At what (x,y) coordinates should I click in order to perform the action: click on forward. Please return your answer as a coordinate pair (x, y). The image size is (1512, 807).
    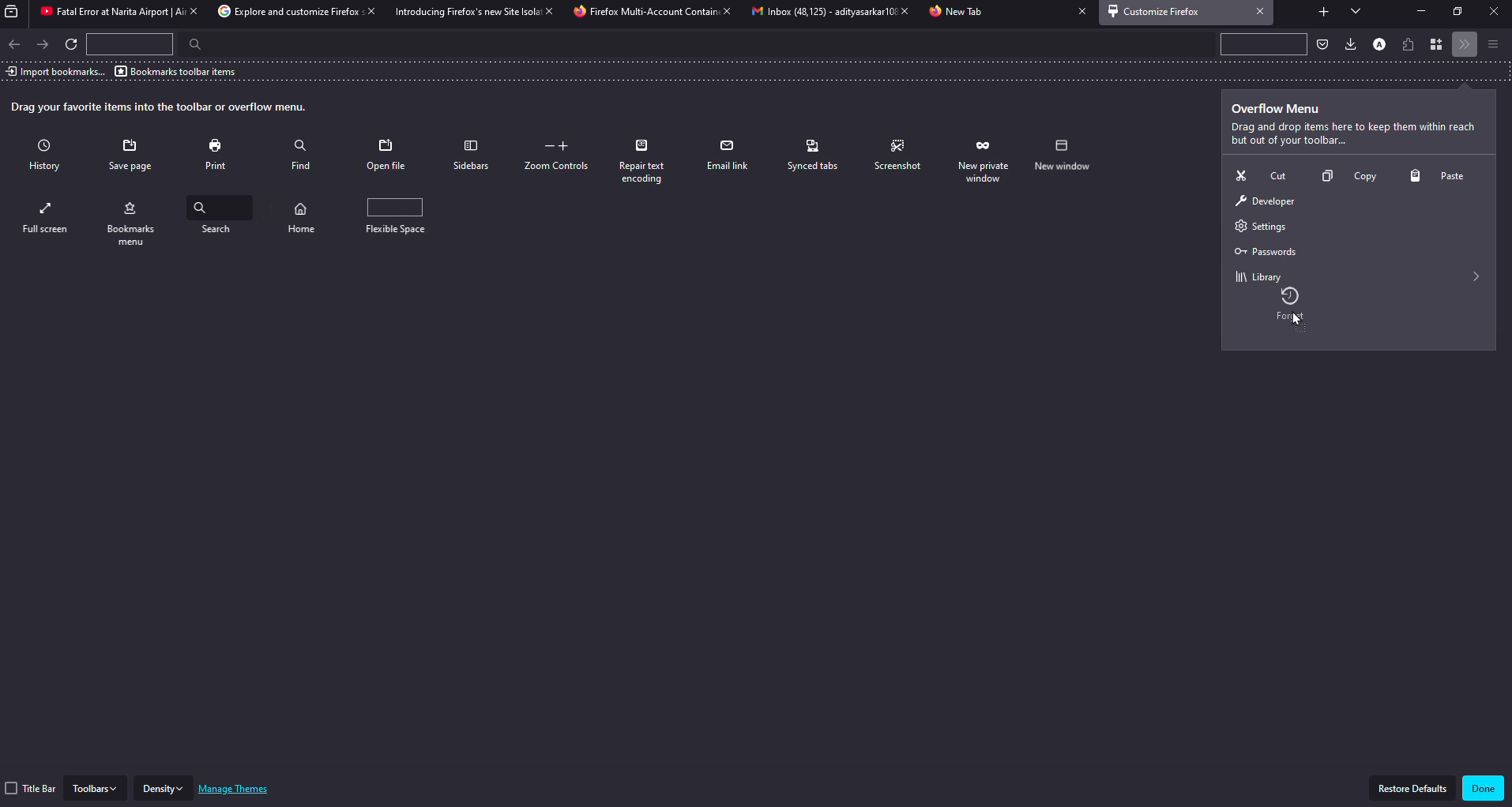
    Looking at the image, I should click on (44, 43).